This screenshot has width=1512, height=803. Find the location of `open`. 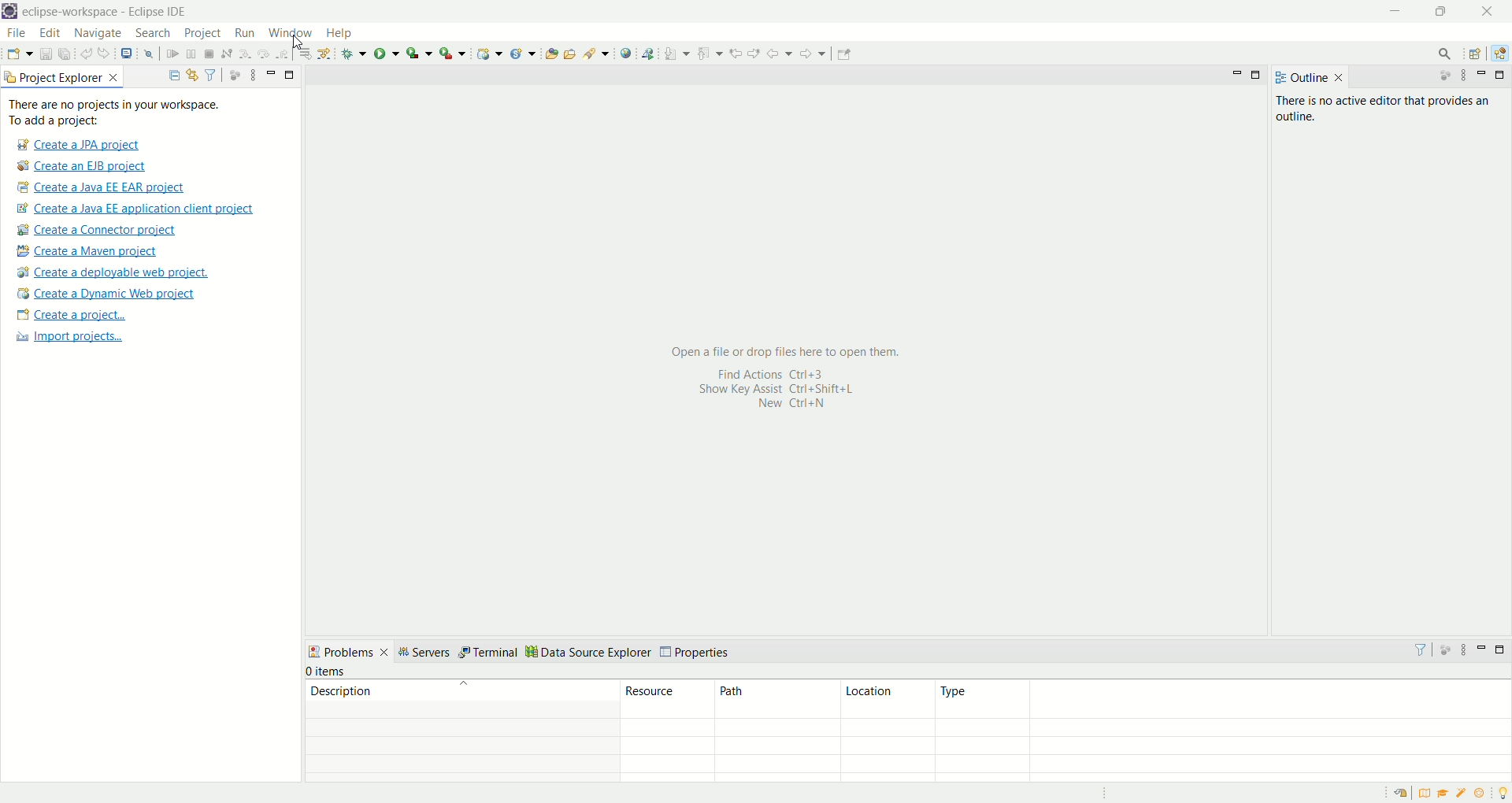

open is located at coordinates (20, 56).